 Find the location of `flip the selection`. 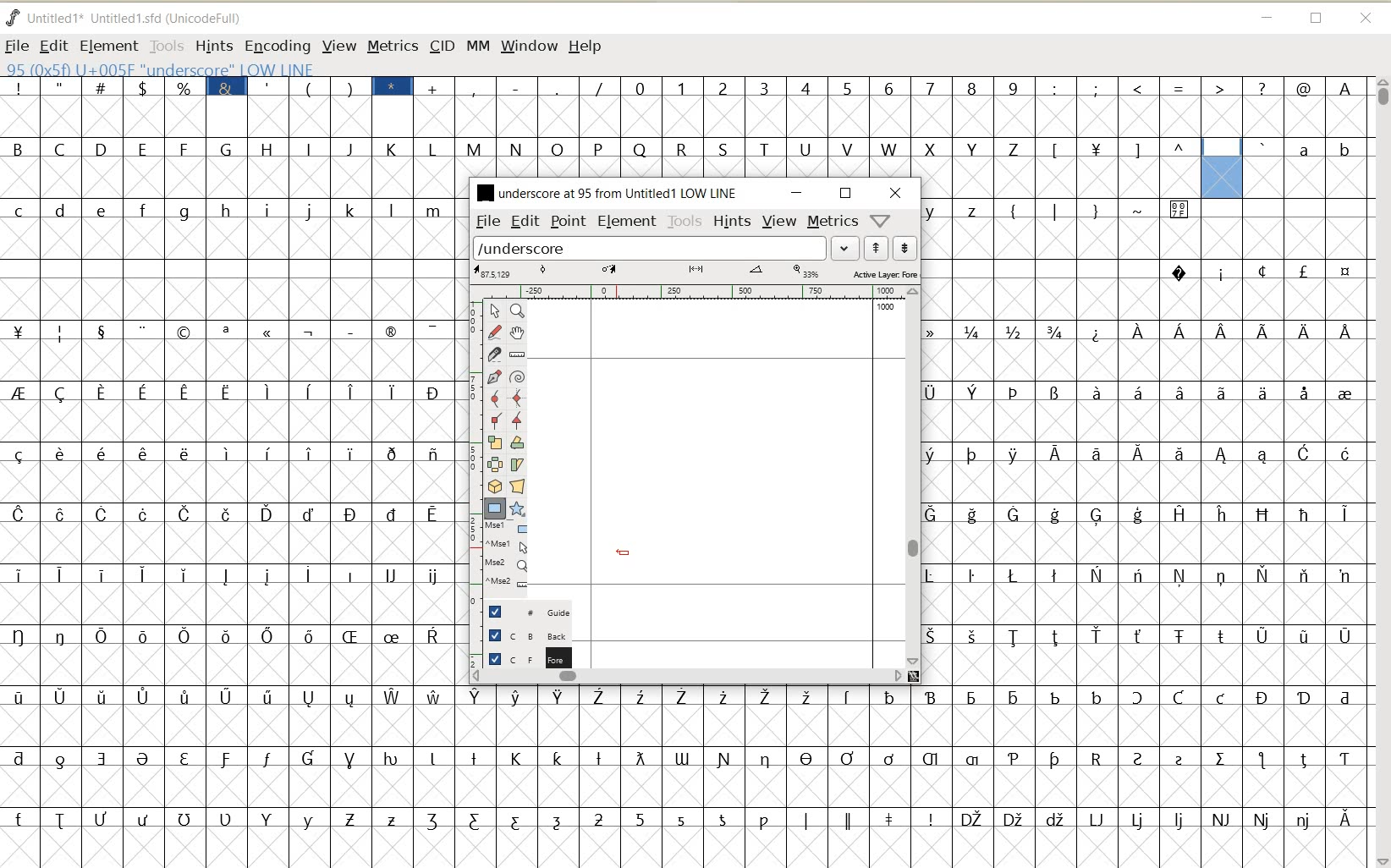

flip the selection is located at coordinates (494, 464).